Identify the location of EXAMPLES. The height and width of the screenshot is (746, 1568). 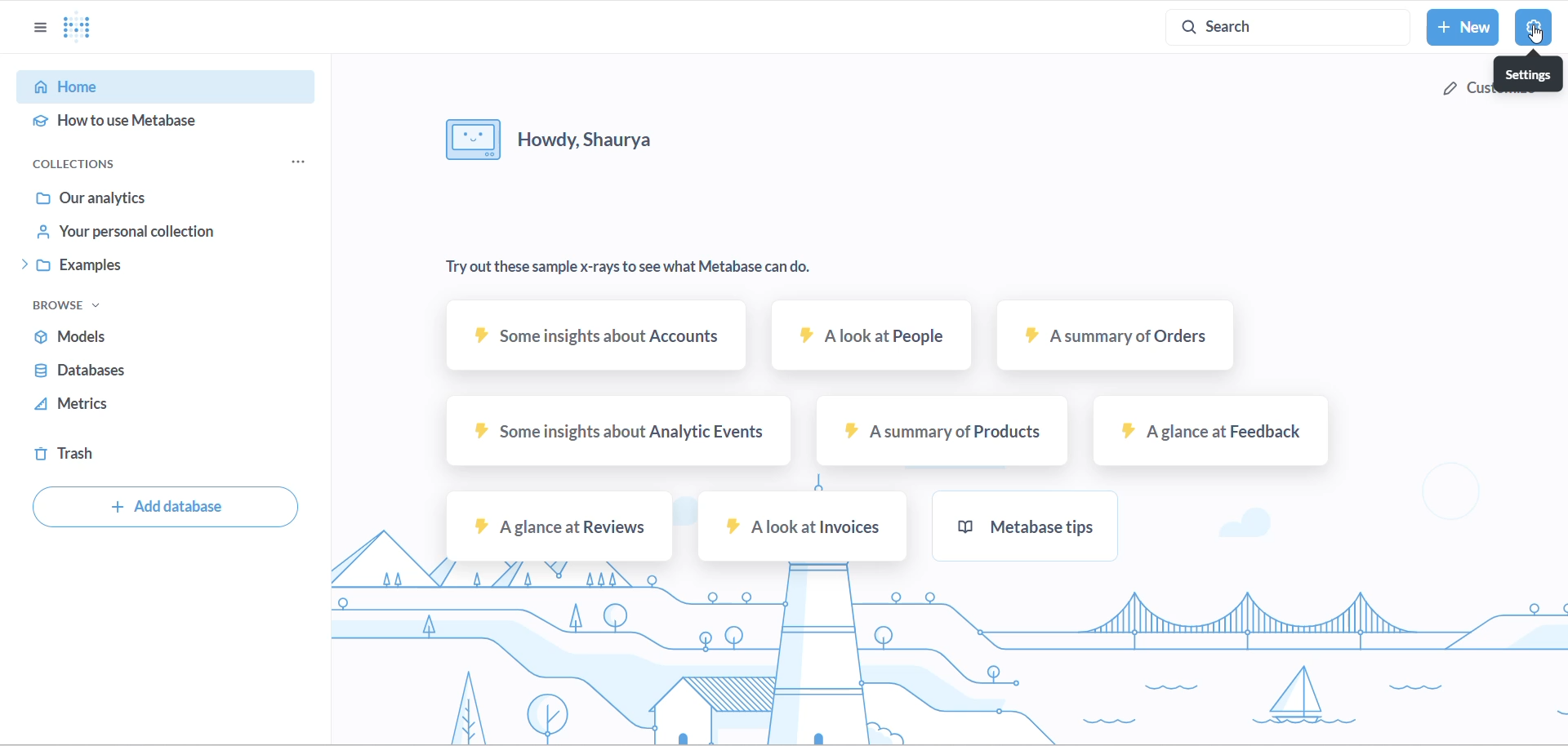
(123, 268).